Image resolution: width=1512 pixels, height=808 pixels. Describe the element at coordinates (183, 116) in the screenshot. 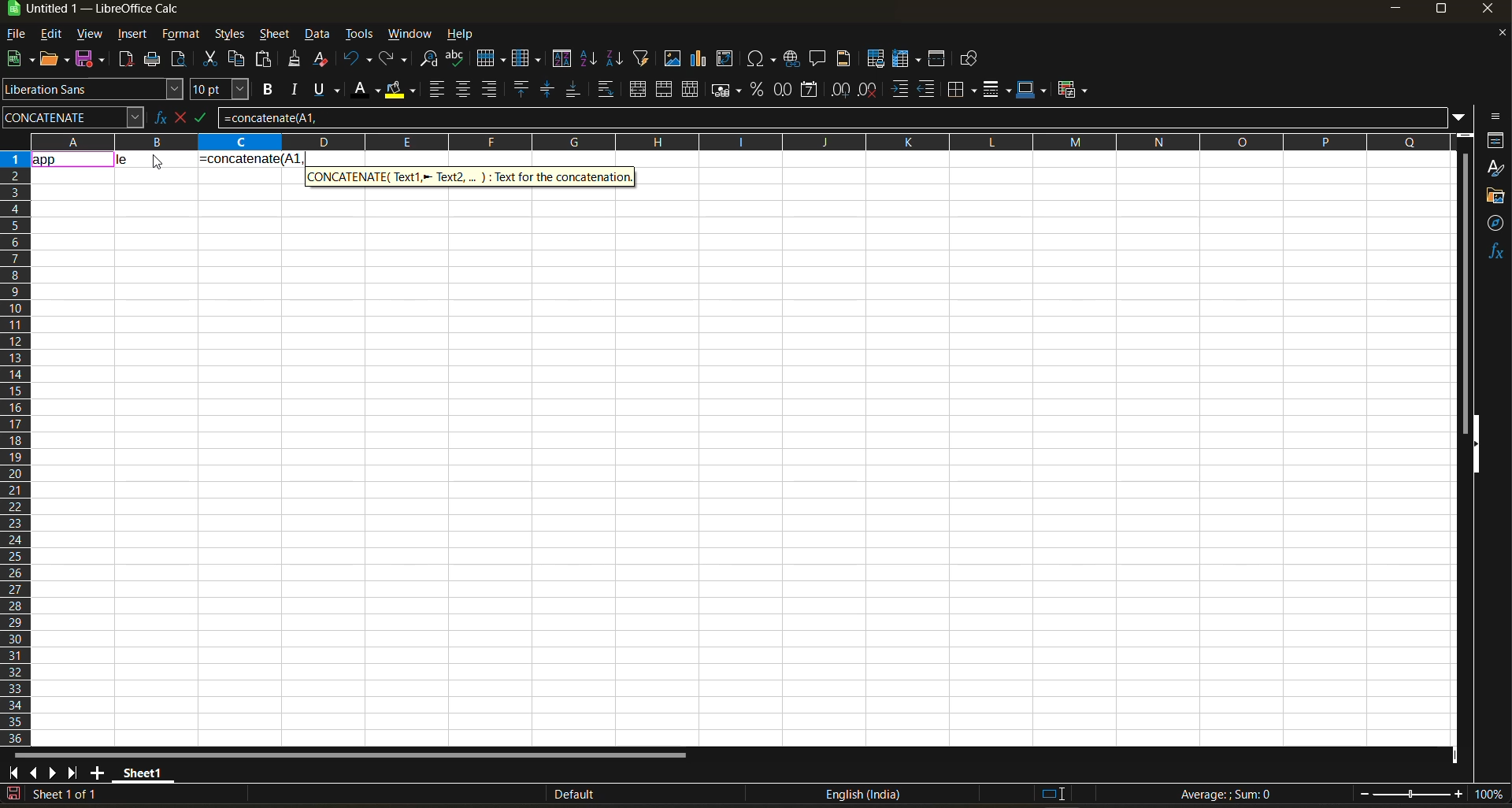

I see `select function` at that location.